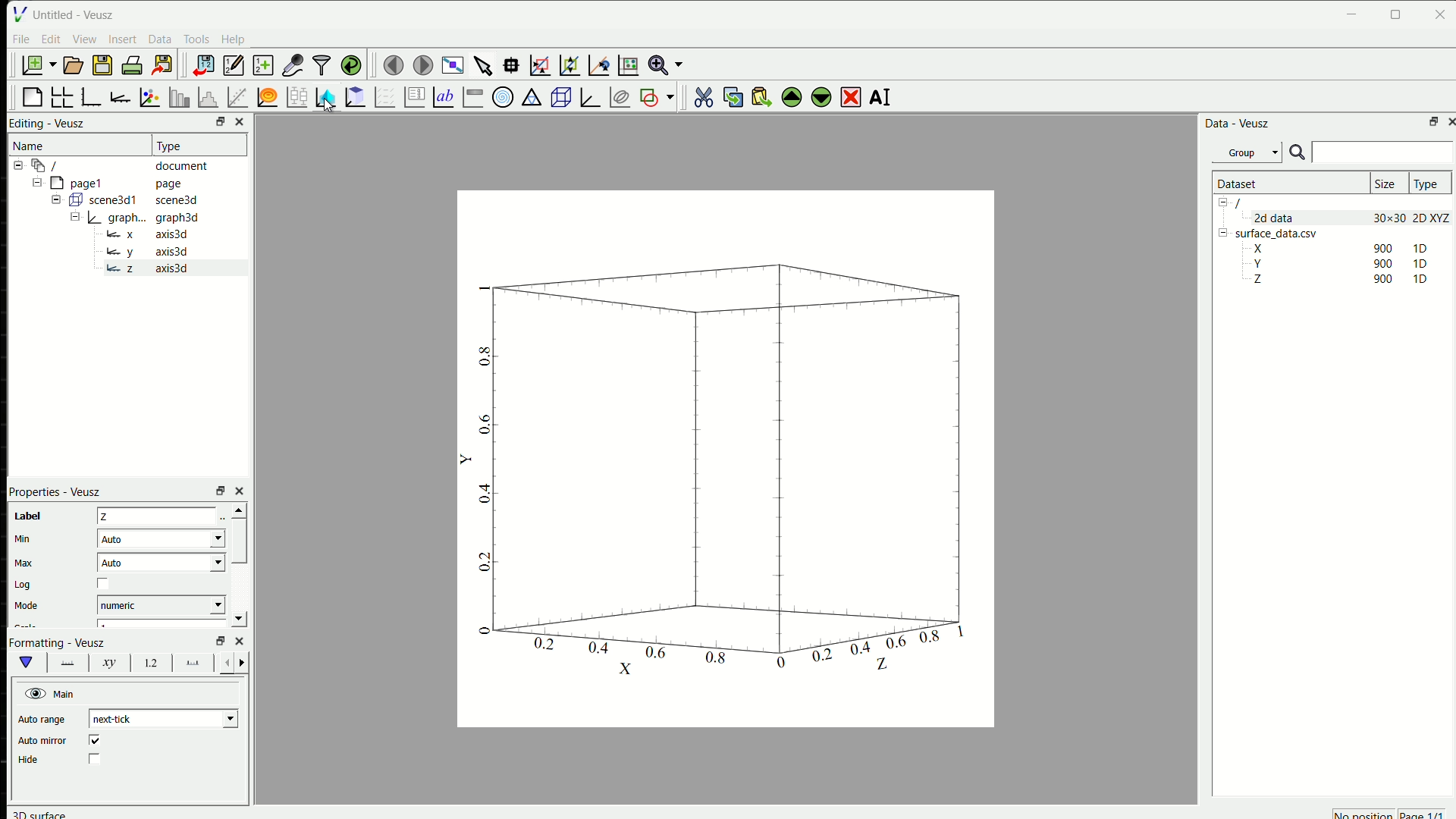 This screenshot has width=1456, height=819. Describe the element at coordinates (121, 268) in the screenshot. I see `z` at that location.